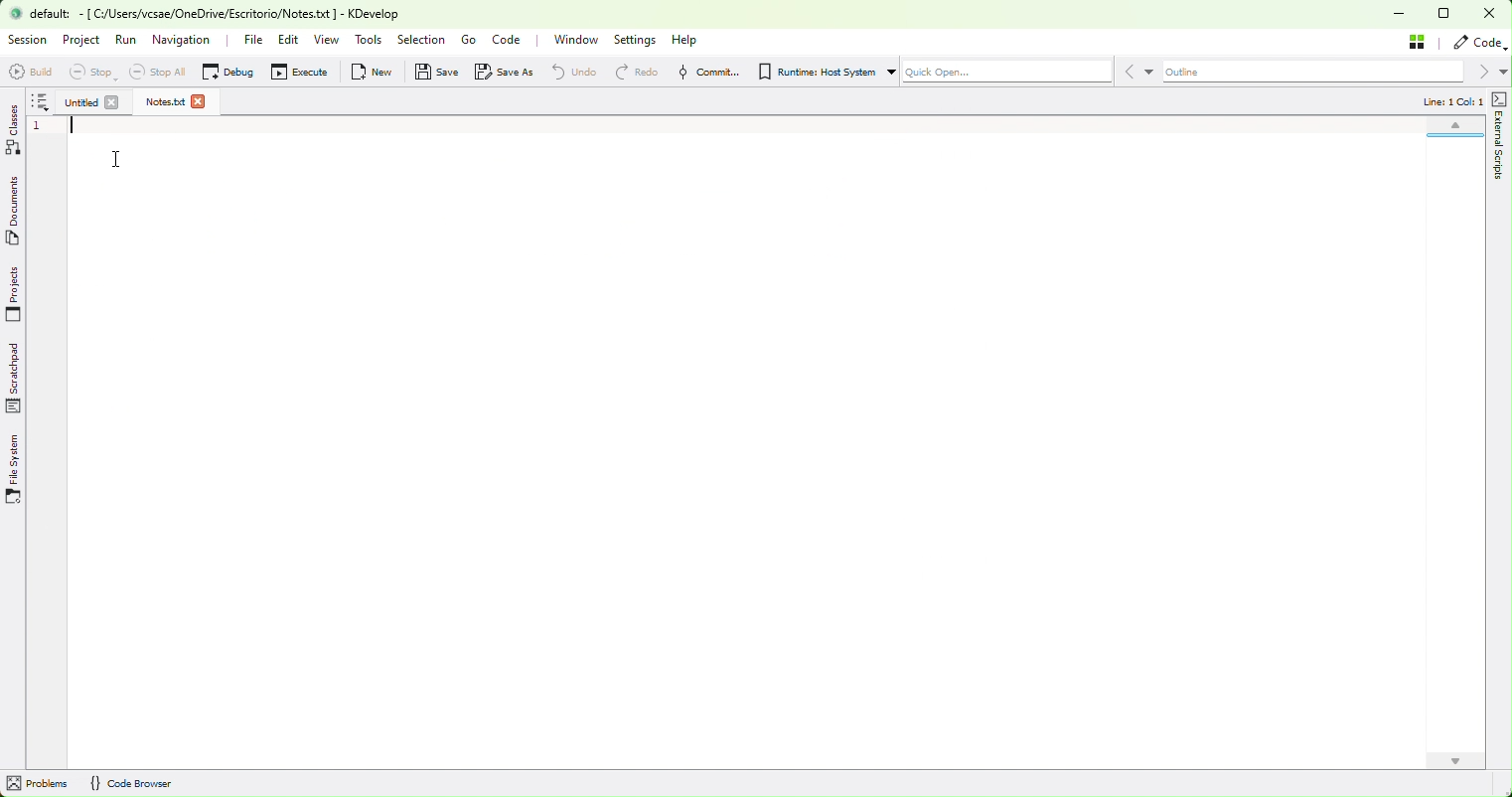 The image size is (1512, 797). What do you see at coordinates (1007, 73) in the screenshot?
I see `Quick Open` at bounding box center [1007, 73].